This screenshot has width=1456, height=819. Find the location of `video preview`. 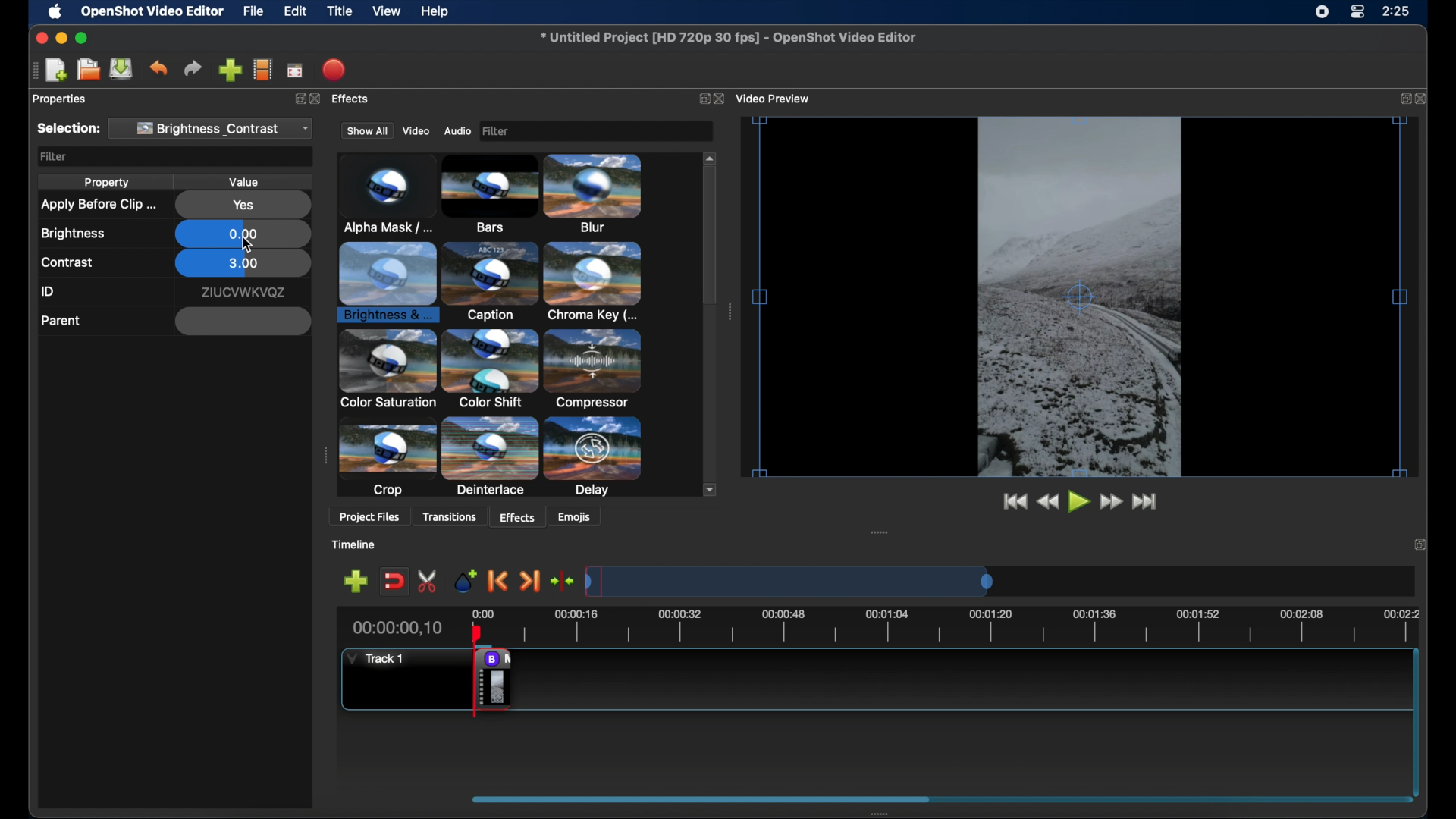

video preview is located at coordinates (779, 97).